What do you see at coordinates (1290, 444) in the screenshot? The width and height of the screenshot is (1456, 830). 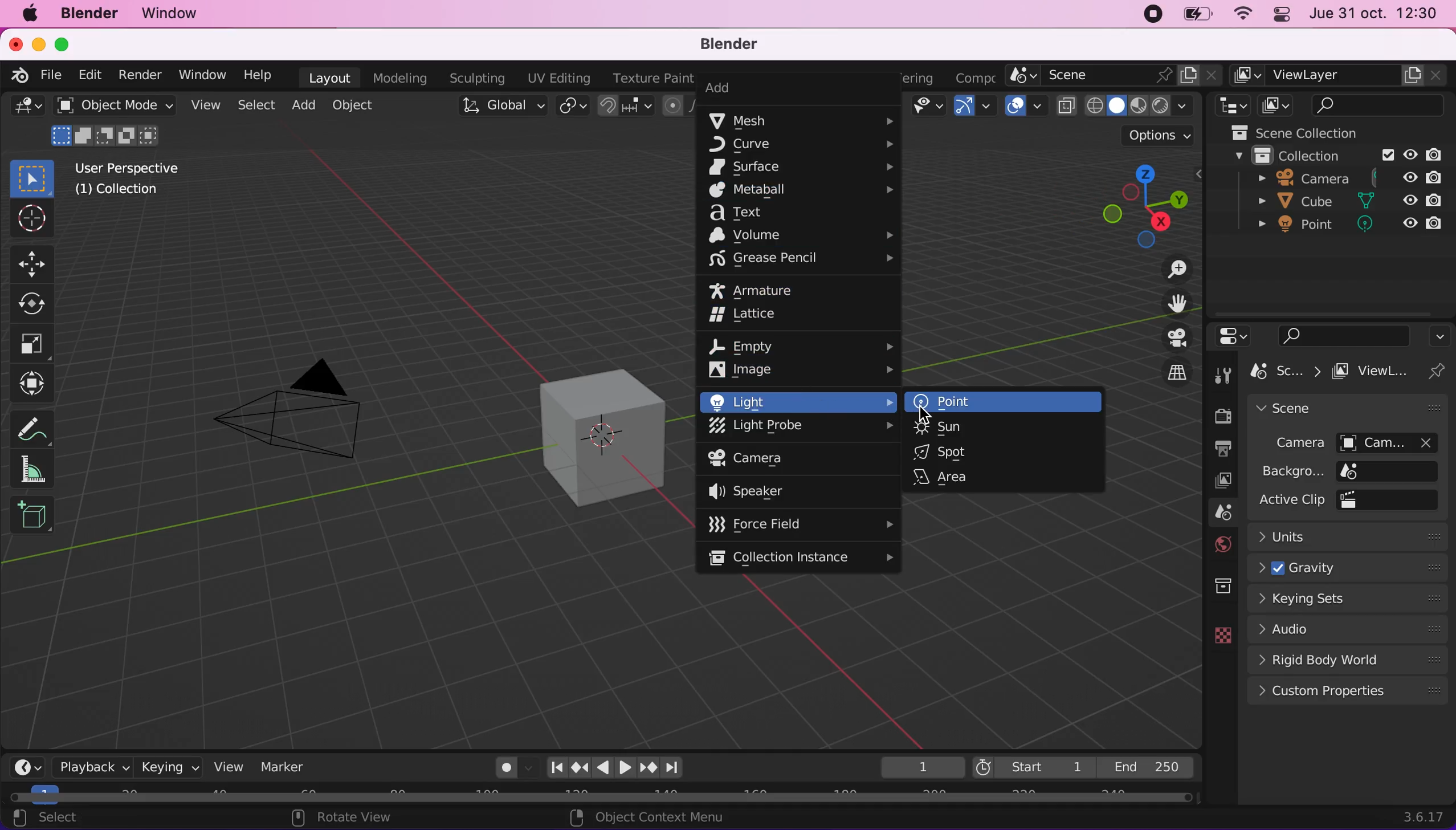 I see `camera` at bounding box center [1290, 444].